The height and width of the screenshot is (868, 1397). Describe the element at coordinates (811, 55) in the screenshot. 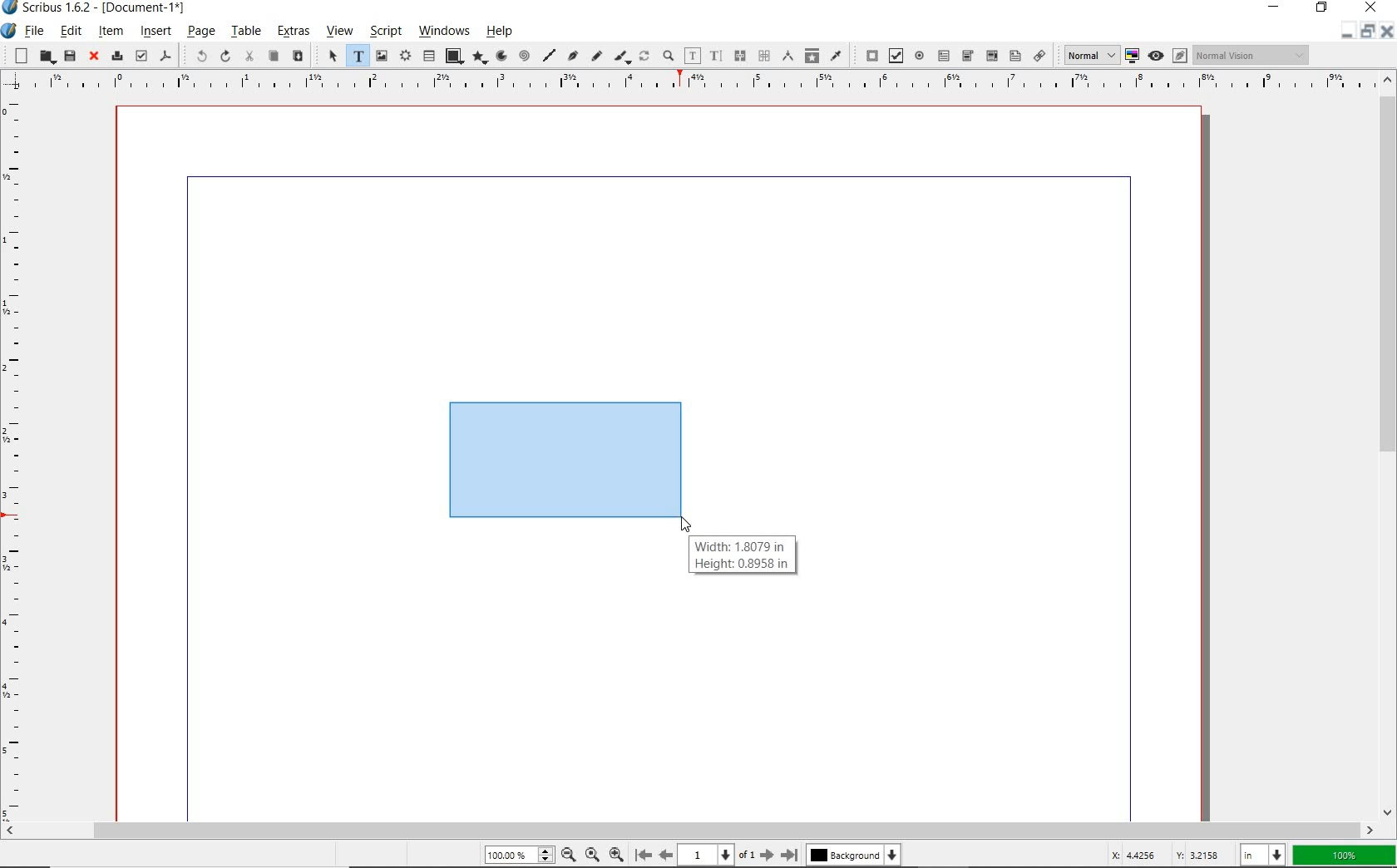

I see `copy item properties` at that location.